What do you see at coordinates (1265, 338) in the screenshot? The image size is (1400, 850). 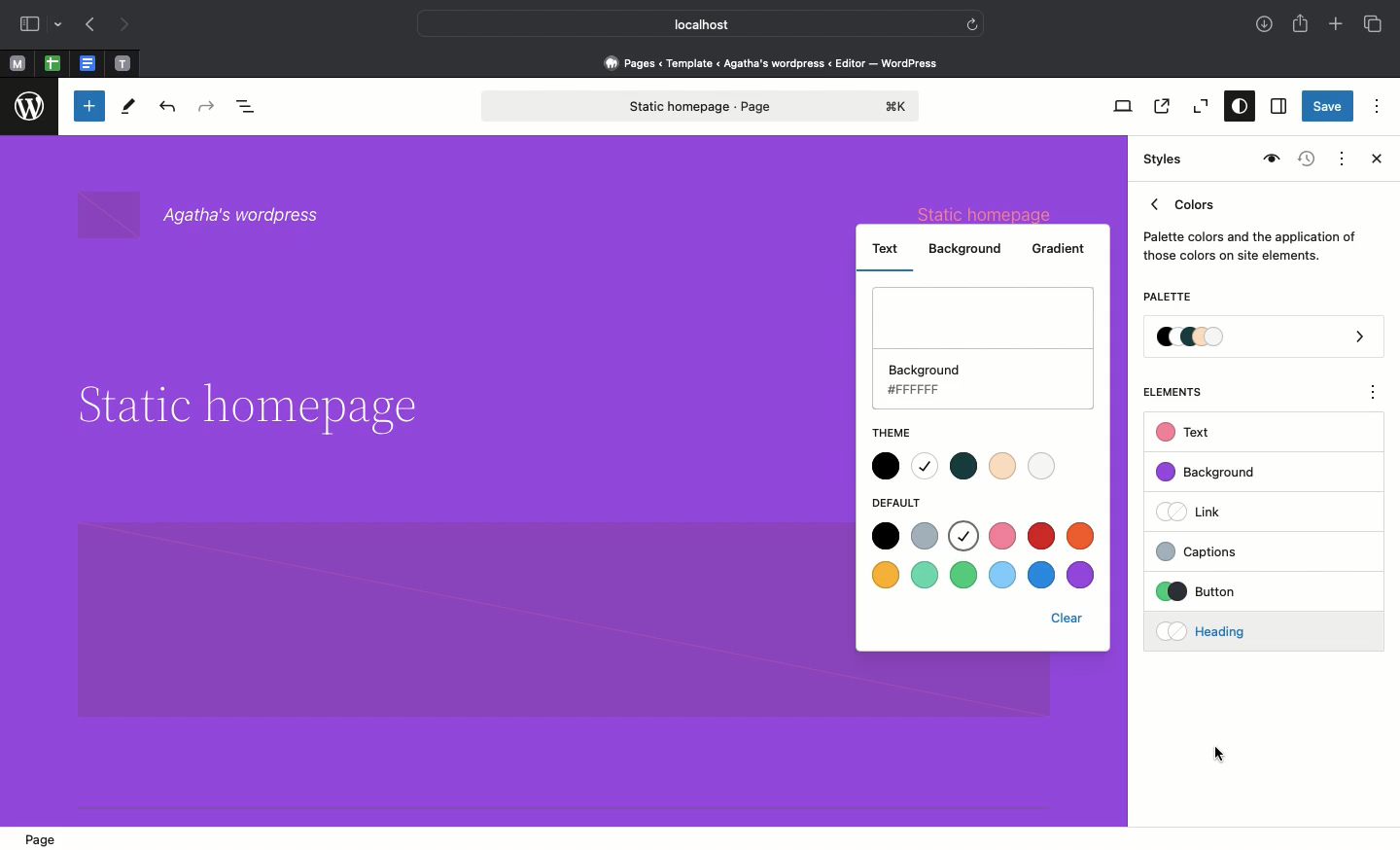 I see `Palette` at bounding box center [1265, 338].